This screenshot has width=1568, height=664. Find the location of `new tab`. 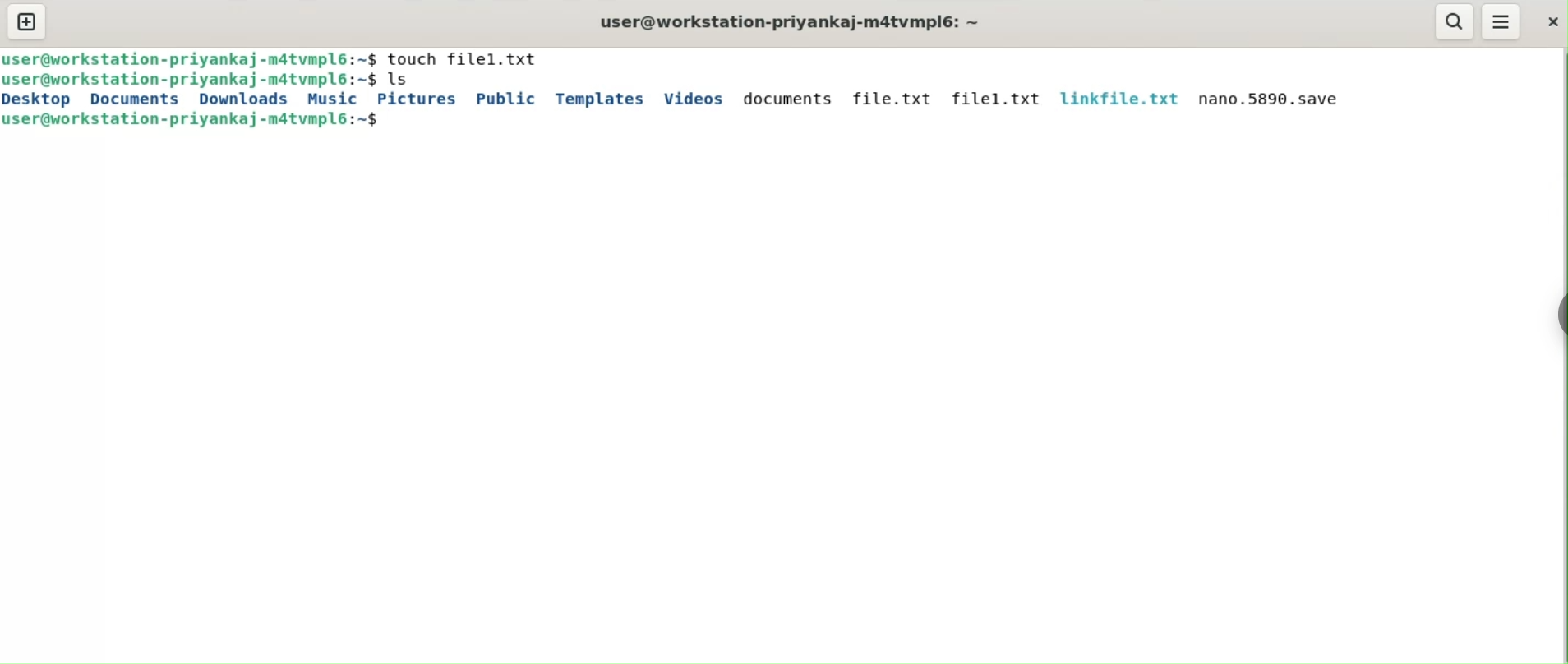

new tab is located at coordinates (28, 21).